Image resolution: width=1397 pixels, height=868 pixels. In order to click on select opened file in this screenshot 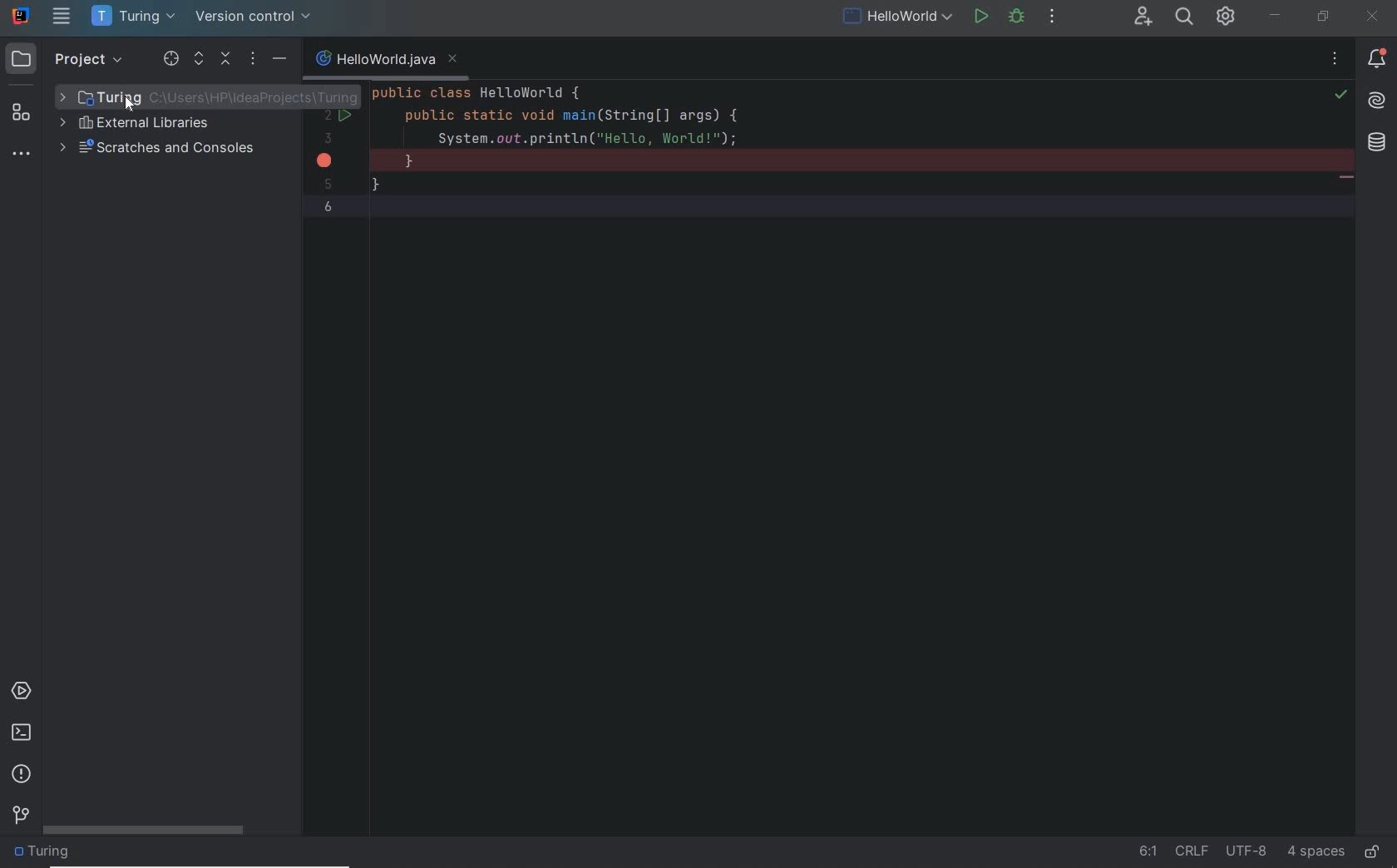, I will do `click(170, 59)`.